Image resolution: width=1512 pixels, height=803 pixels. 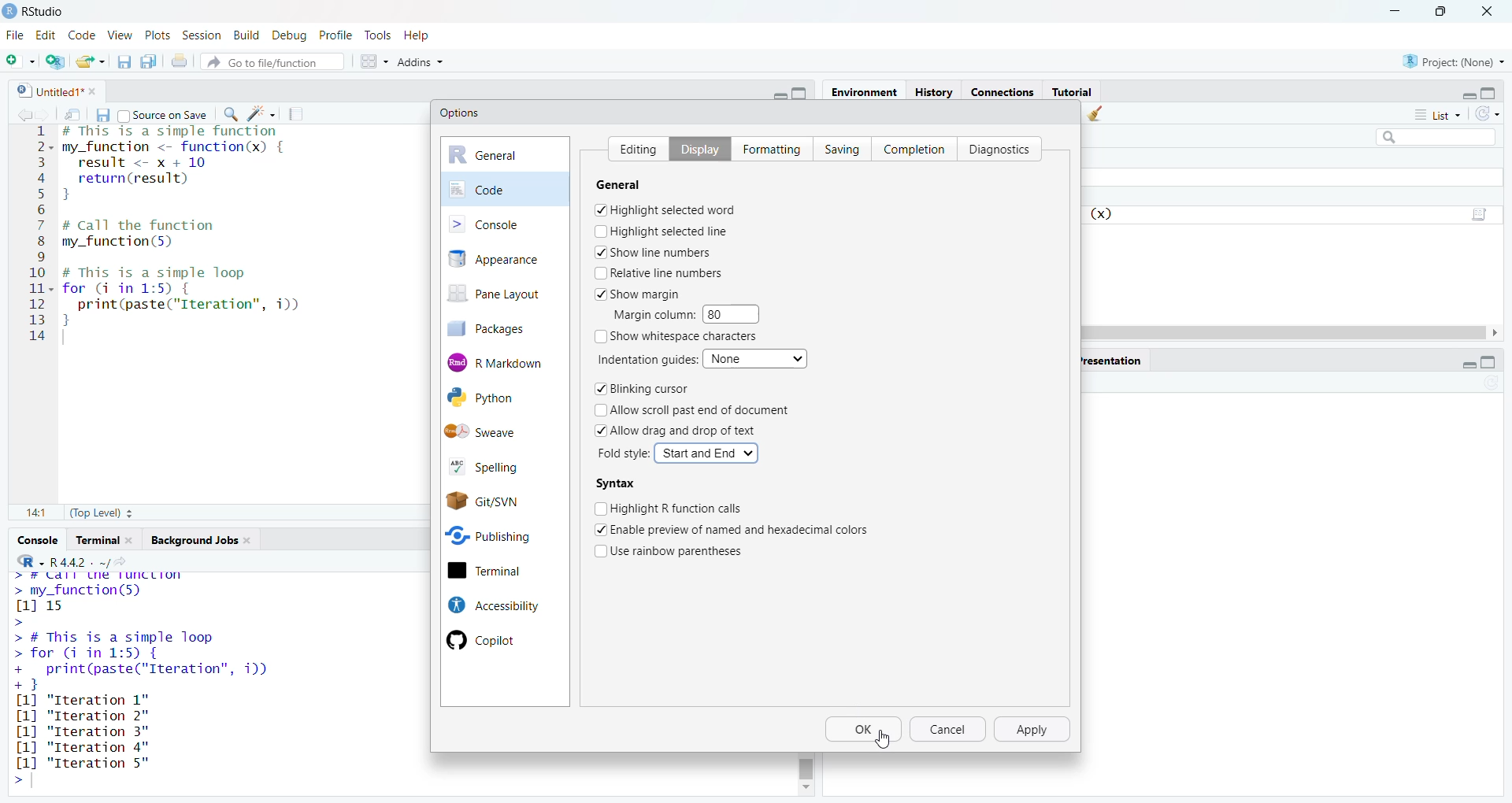 What do you see at coordinates (195, 165) in the screenshot?
I see `code of a simple function` at bounding box center [195, 165].